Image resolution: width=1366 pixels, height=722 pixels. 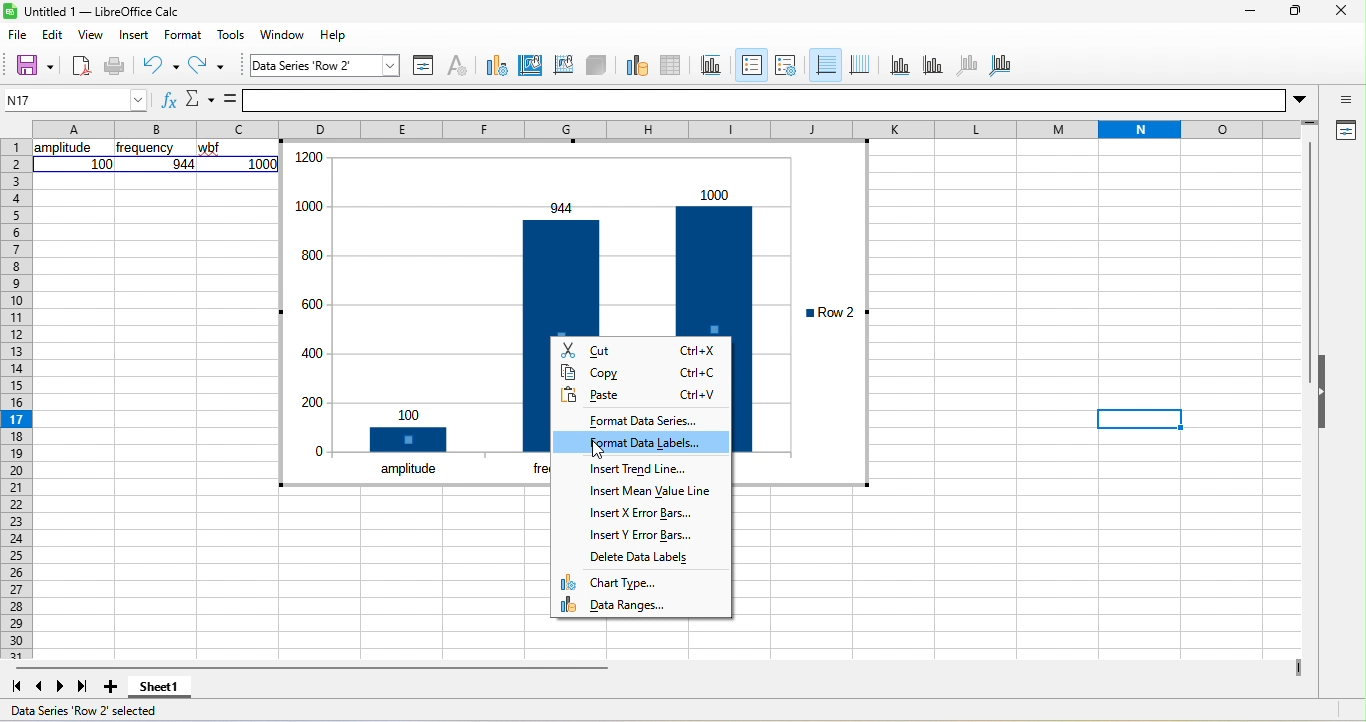 What do you see at coordinates (495, 67) in the screenshot?
I see `chart type` at bounding box center [495, 67].